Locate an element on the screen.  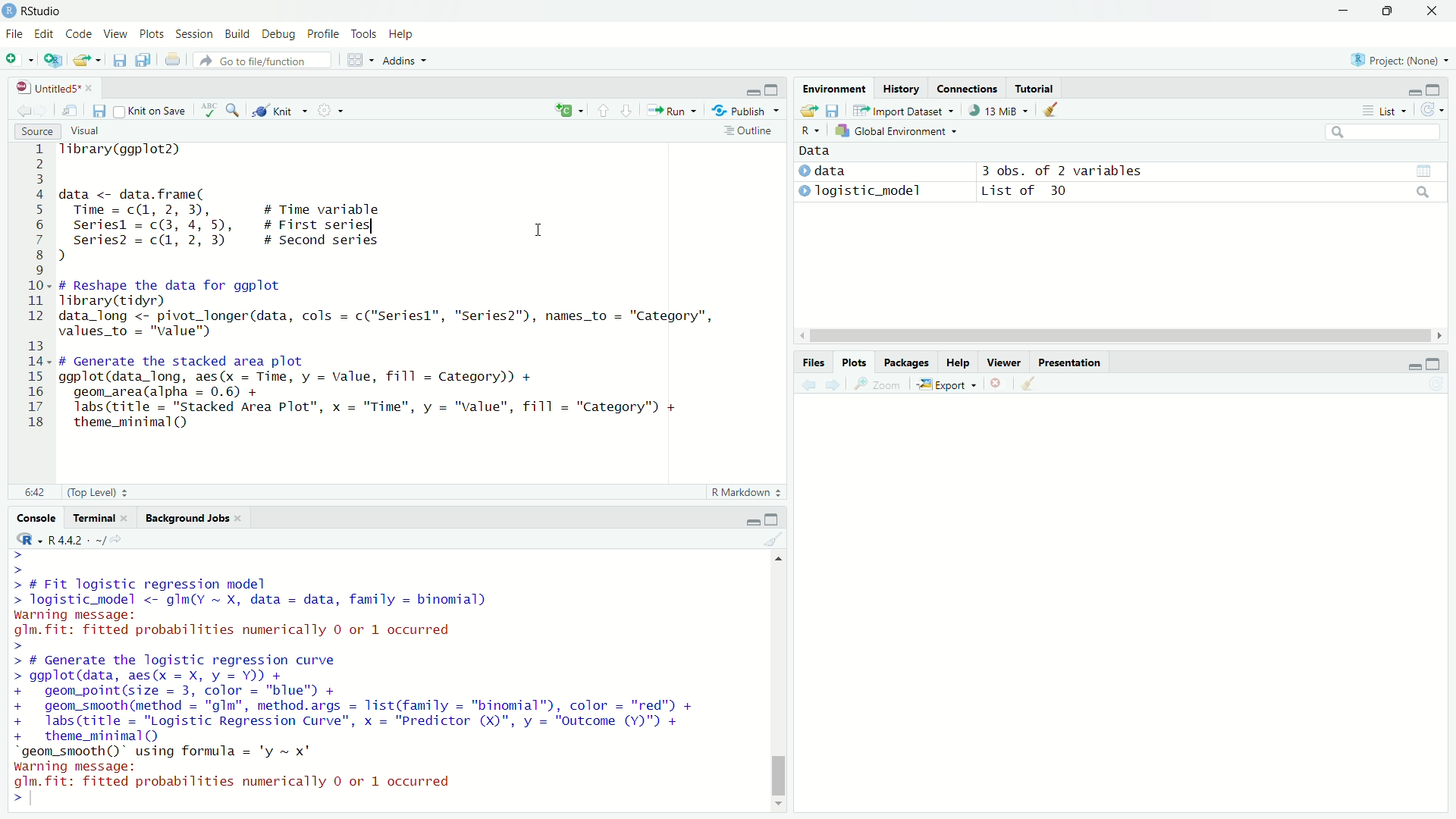
6:42 is located at coordinates (33, 491).